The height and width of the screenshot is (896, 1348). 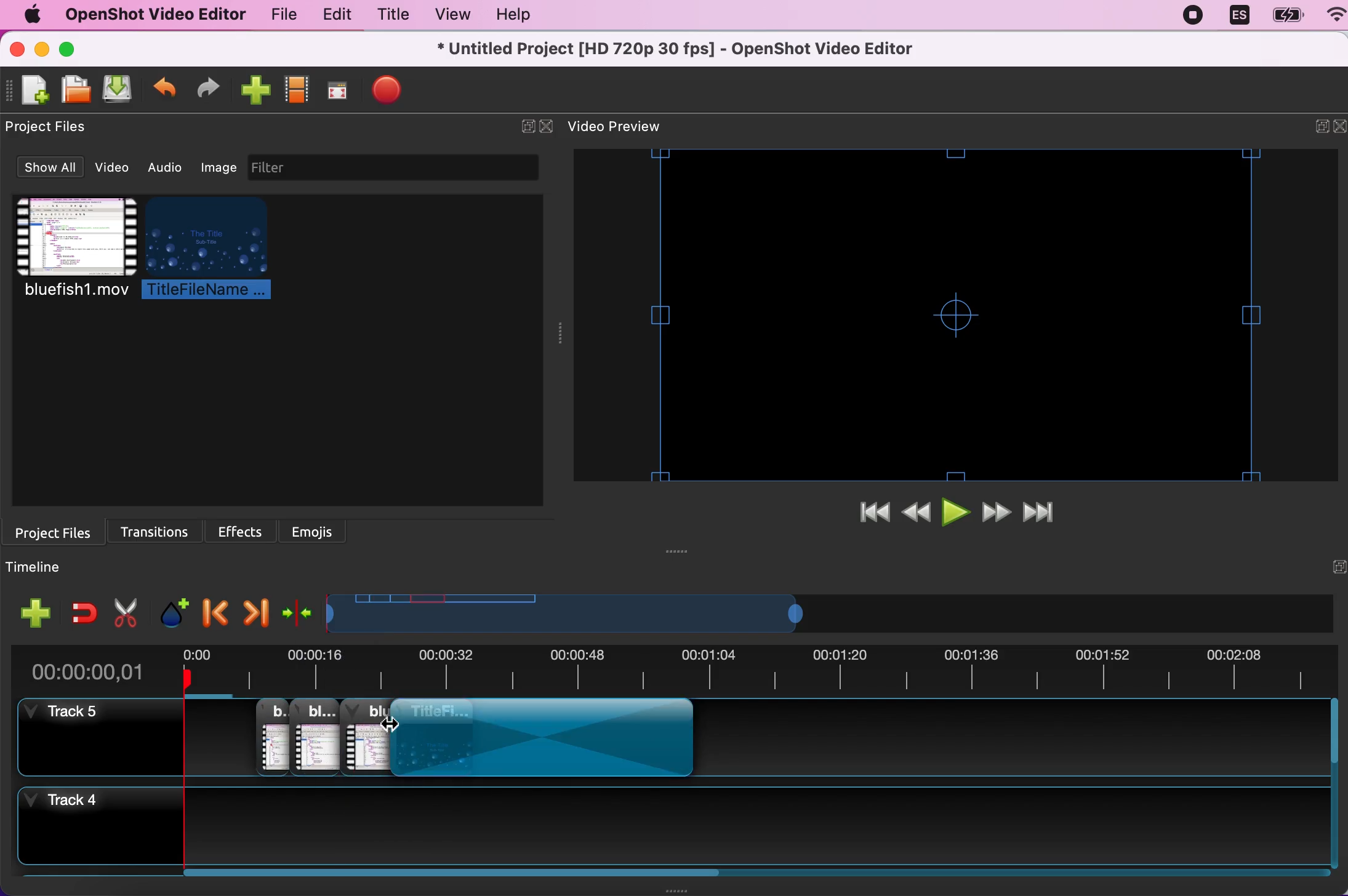 What do you see at coordinates (54, 127) in the screenshot?
I see `project files` at bounding box center [54, 127].